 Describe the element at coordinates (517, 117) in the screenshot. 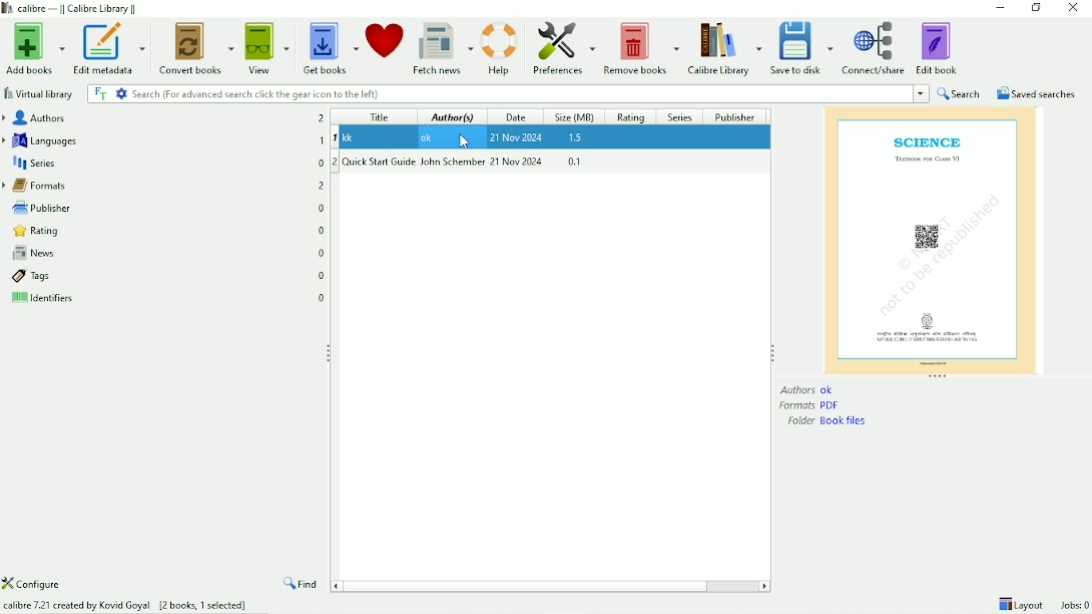

I see `Date` at that location.